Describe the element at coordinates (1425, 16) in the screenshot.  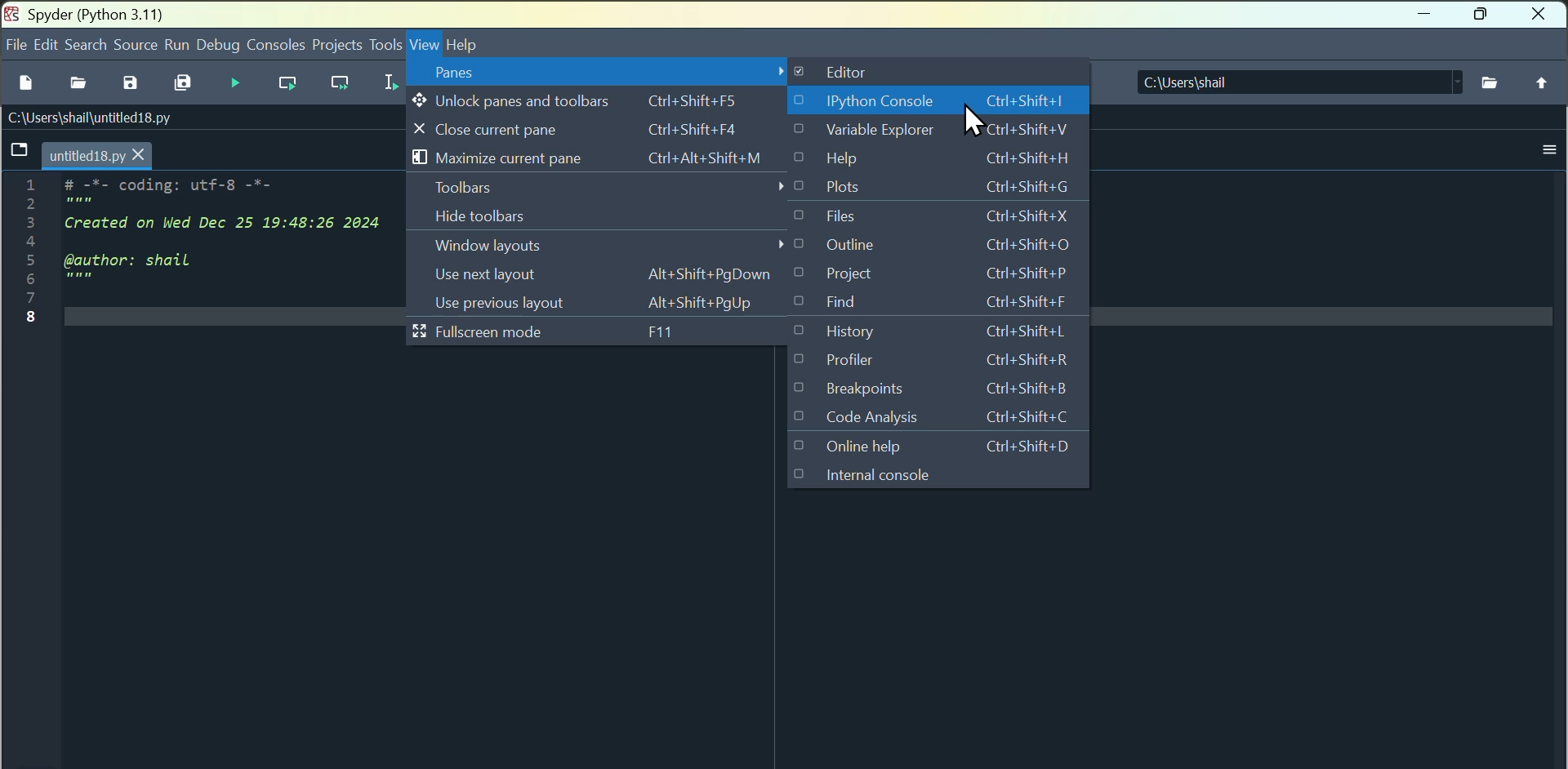
I see `minimise` at that location.